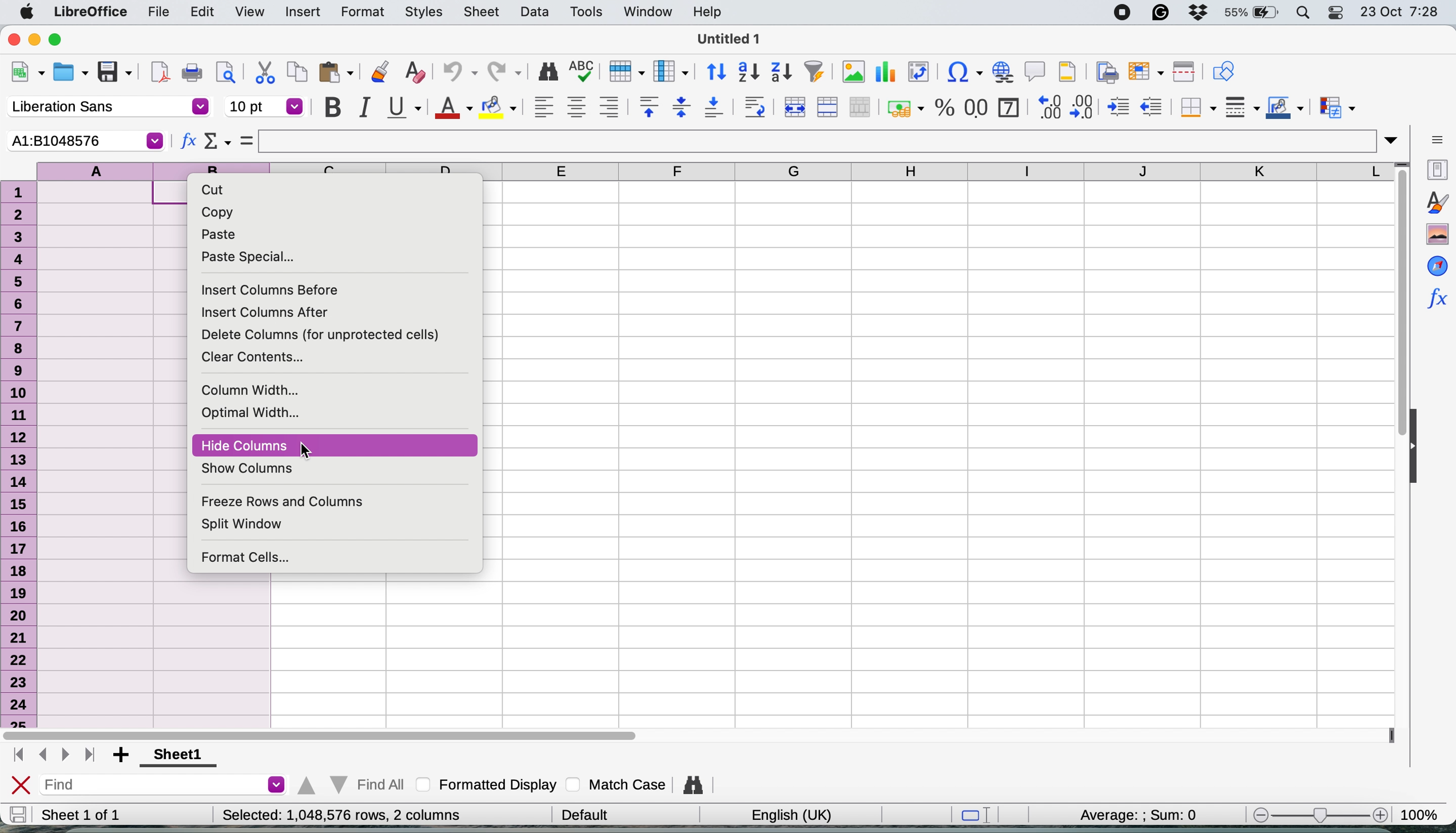 Image resolution: width=1456 pixels, height=833 pixels. I want to click on sheet 1, so click(180, 755).